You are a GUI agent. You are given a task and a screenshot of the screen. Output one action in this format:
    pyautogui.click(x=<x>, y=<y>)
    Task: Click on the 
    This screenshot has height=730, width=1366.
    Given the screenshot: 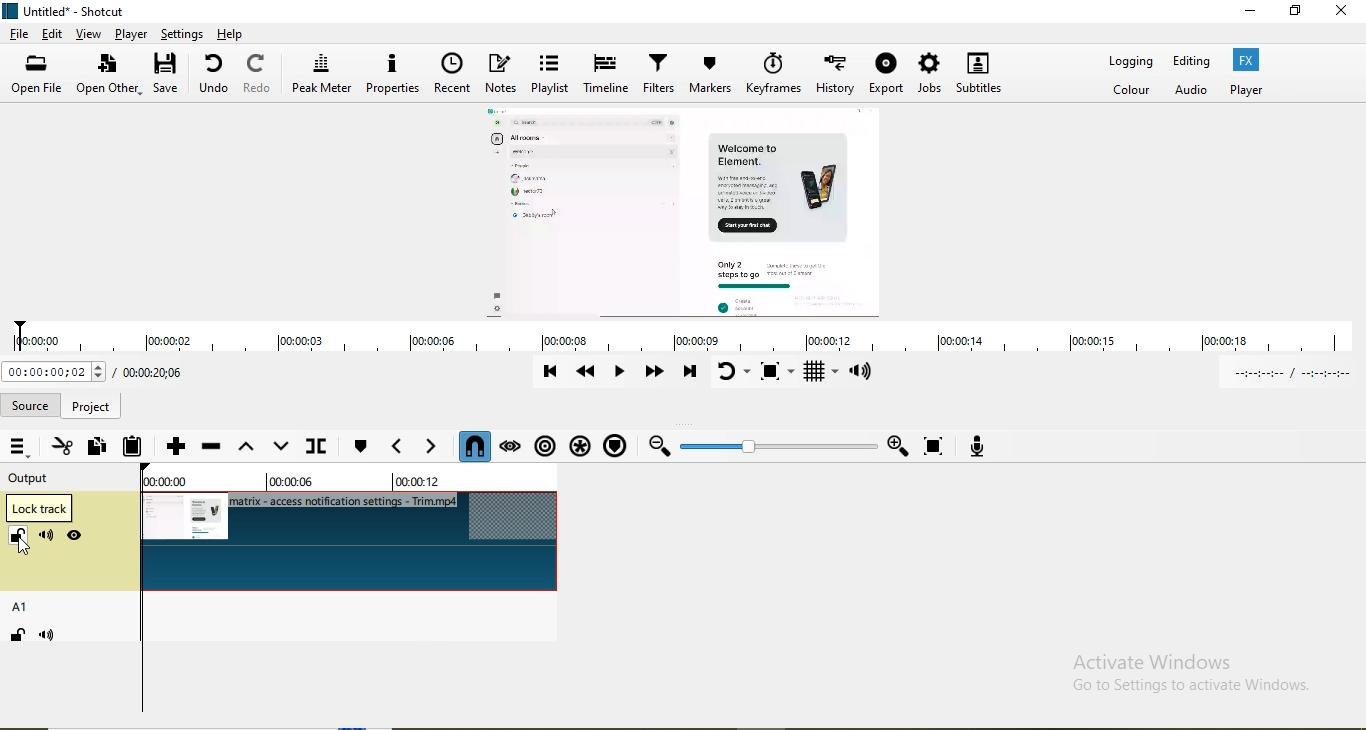 What is the action you would take?
    pyautogui.click(x=116, y=472)
    